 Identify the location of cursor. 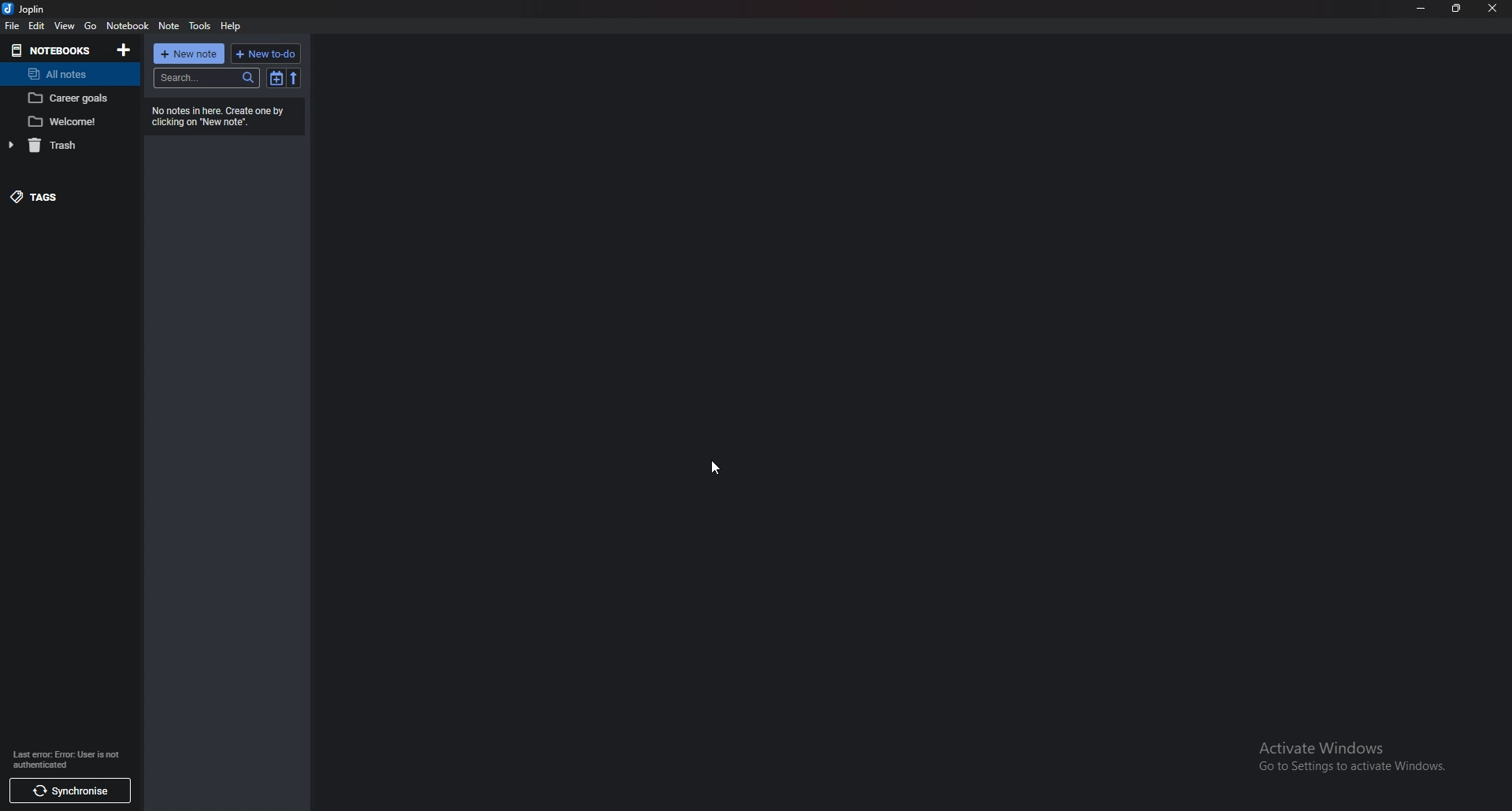
(718, 468).